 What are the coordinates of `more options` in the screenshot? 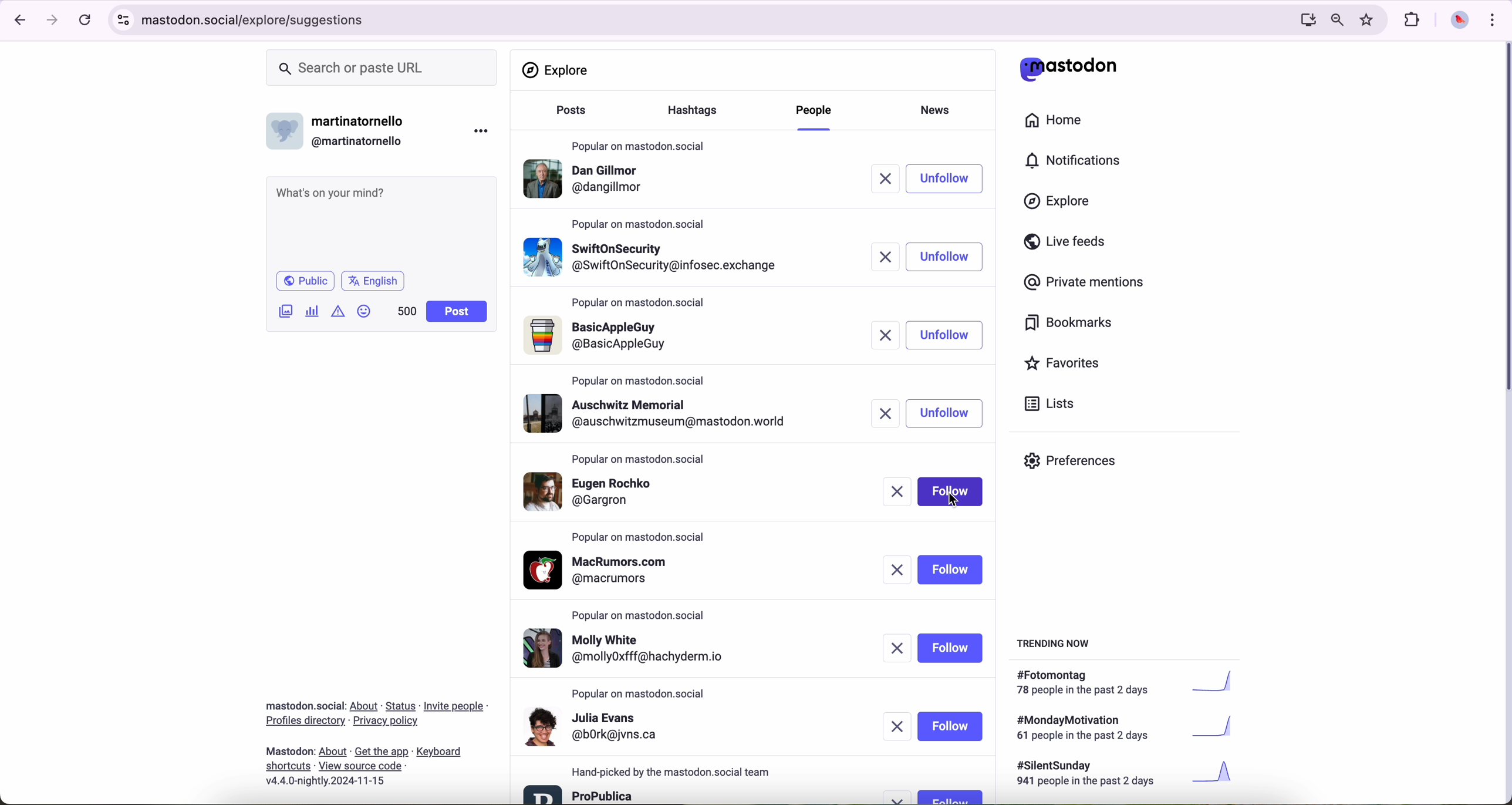 It's located at (484, 130).